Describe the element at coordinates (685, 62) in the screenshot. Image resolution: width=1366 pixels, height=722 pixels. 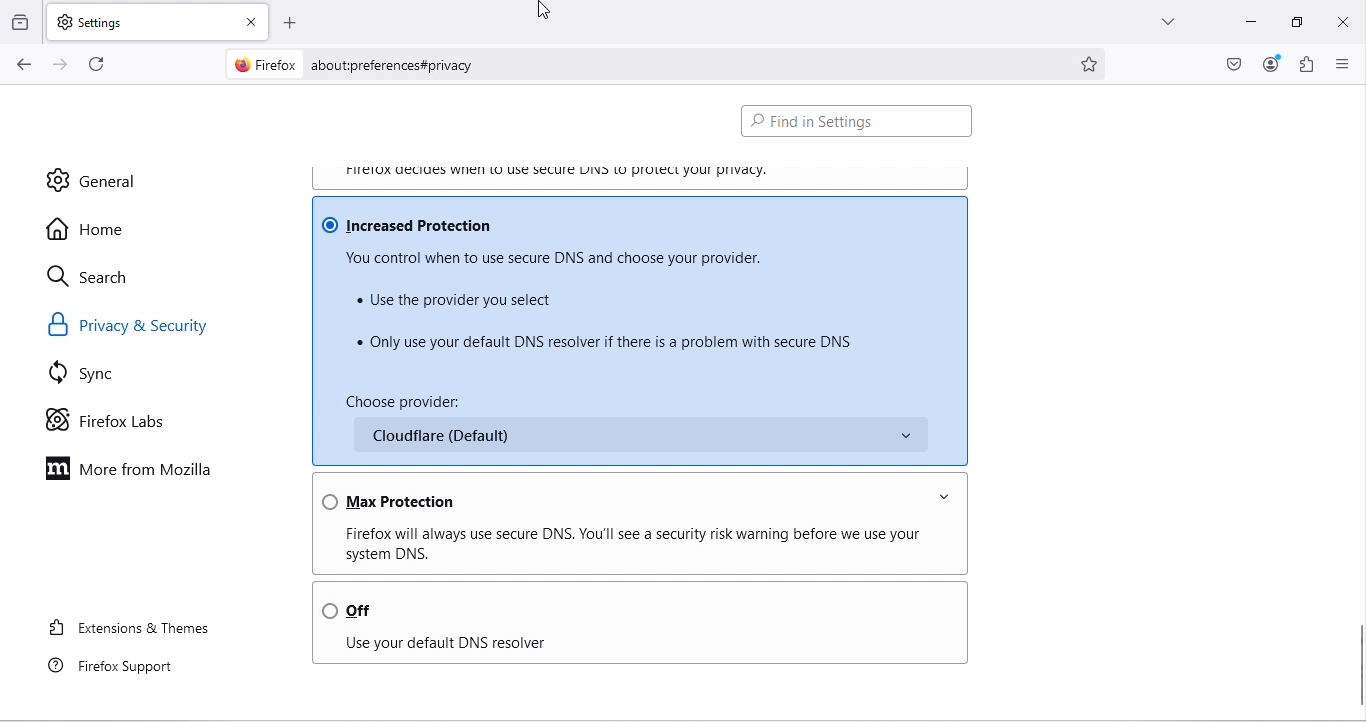
I see `about:preferences` at that location.